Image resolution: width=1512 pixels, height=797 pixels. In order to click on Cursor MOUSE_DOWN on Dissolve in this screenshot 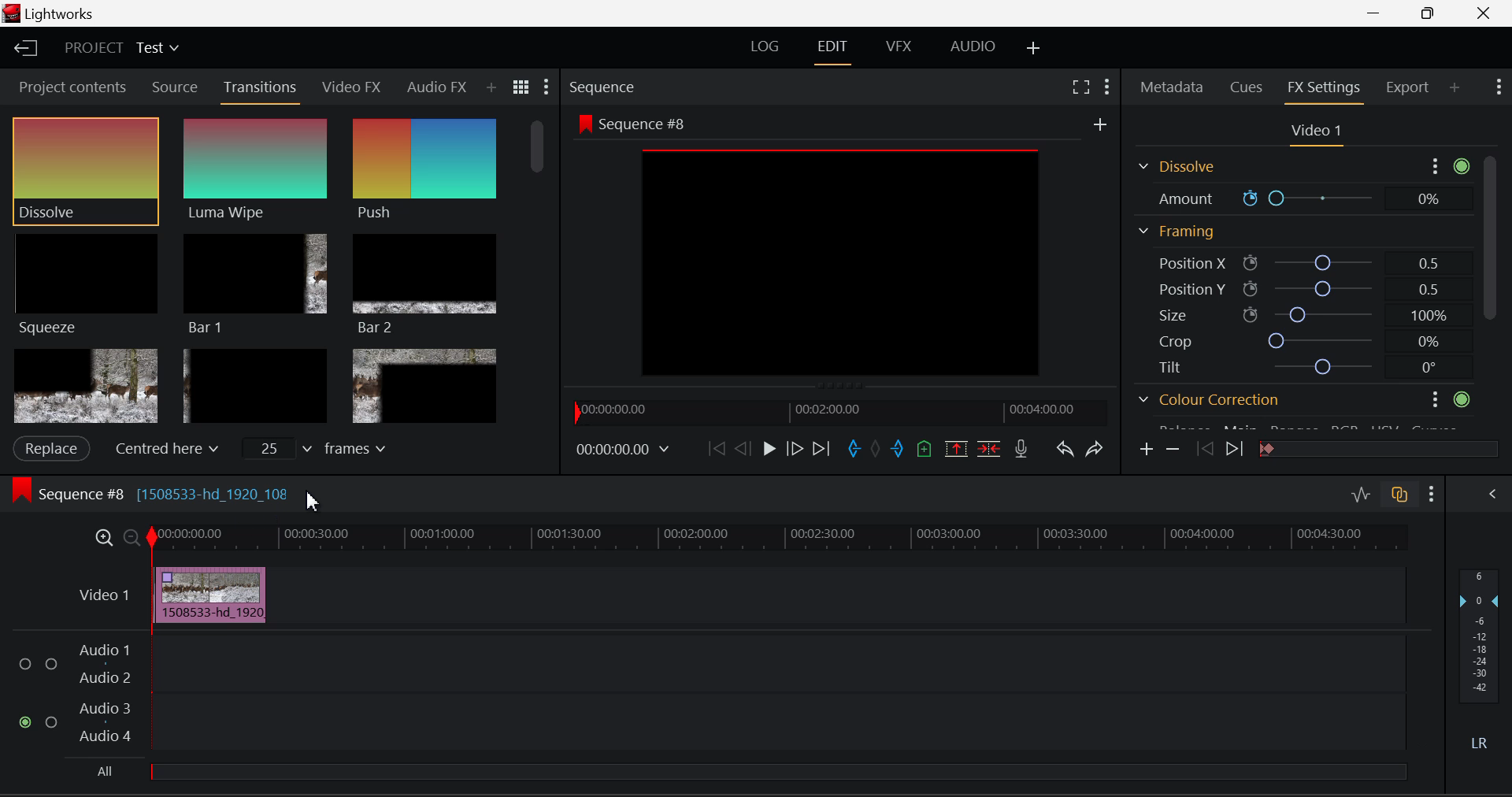, I will do `click(86, 172)`.